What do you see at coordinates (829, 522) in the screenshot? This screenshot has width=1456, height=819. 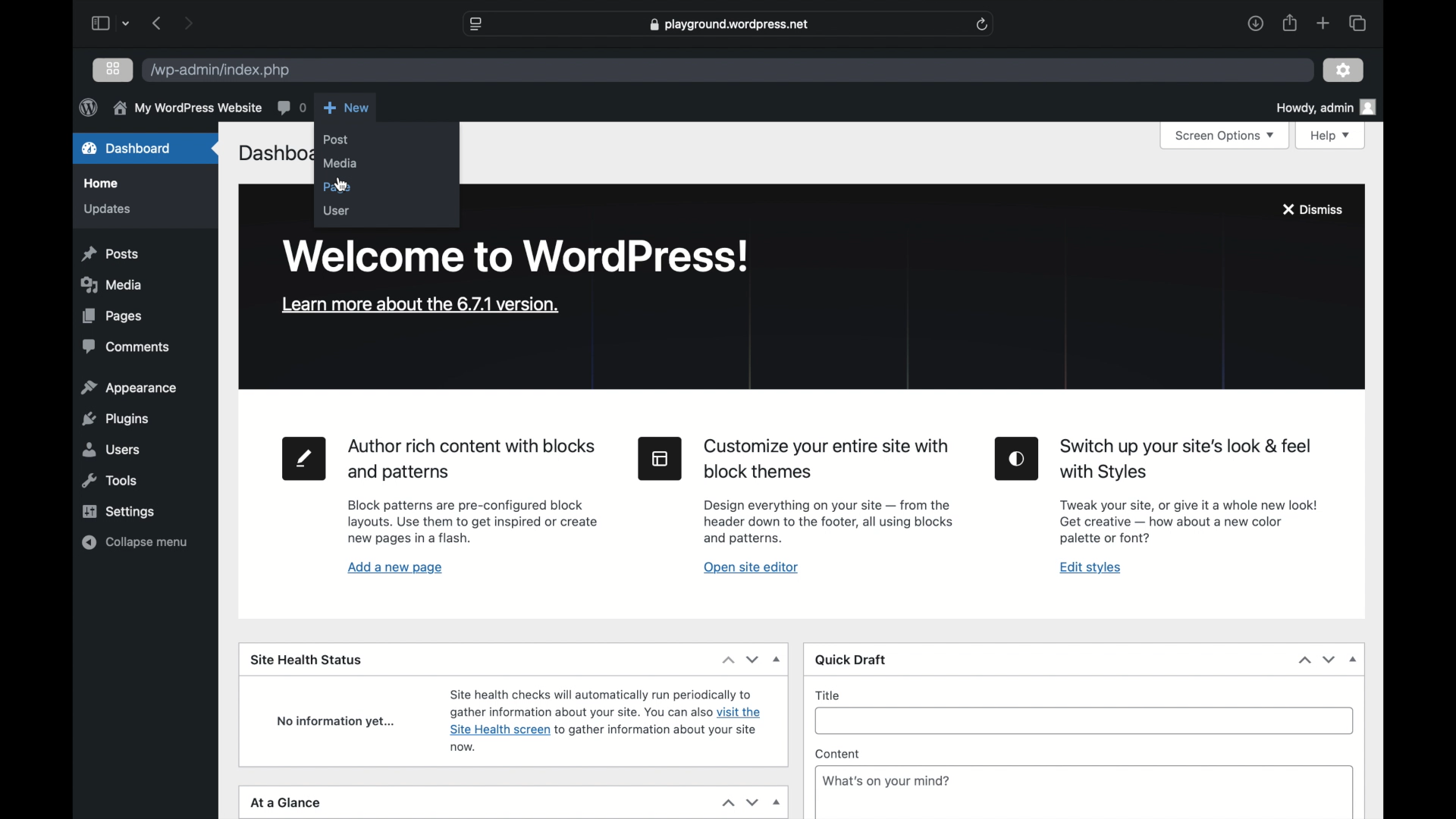 I see `site editor tool information` at bounding box center [829, 522].